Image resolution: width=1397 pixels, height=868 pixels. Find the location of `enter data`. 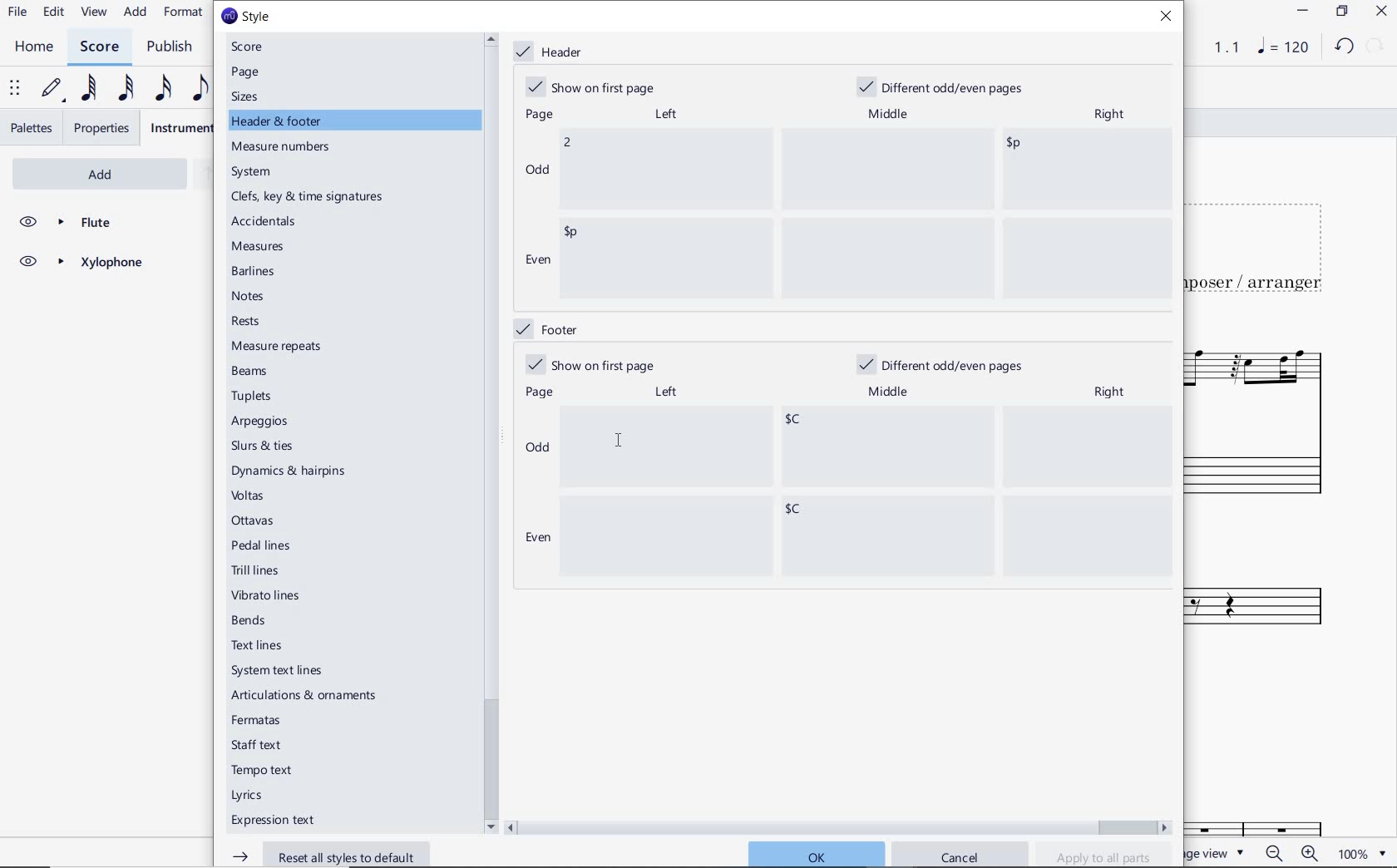

enter data is located at coordinates (868, 492).